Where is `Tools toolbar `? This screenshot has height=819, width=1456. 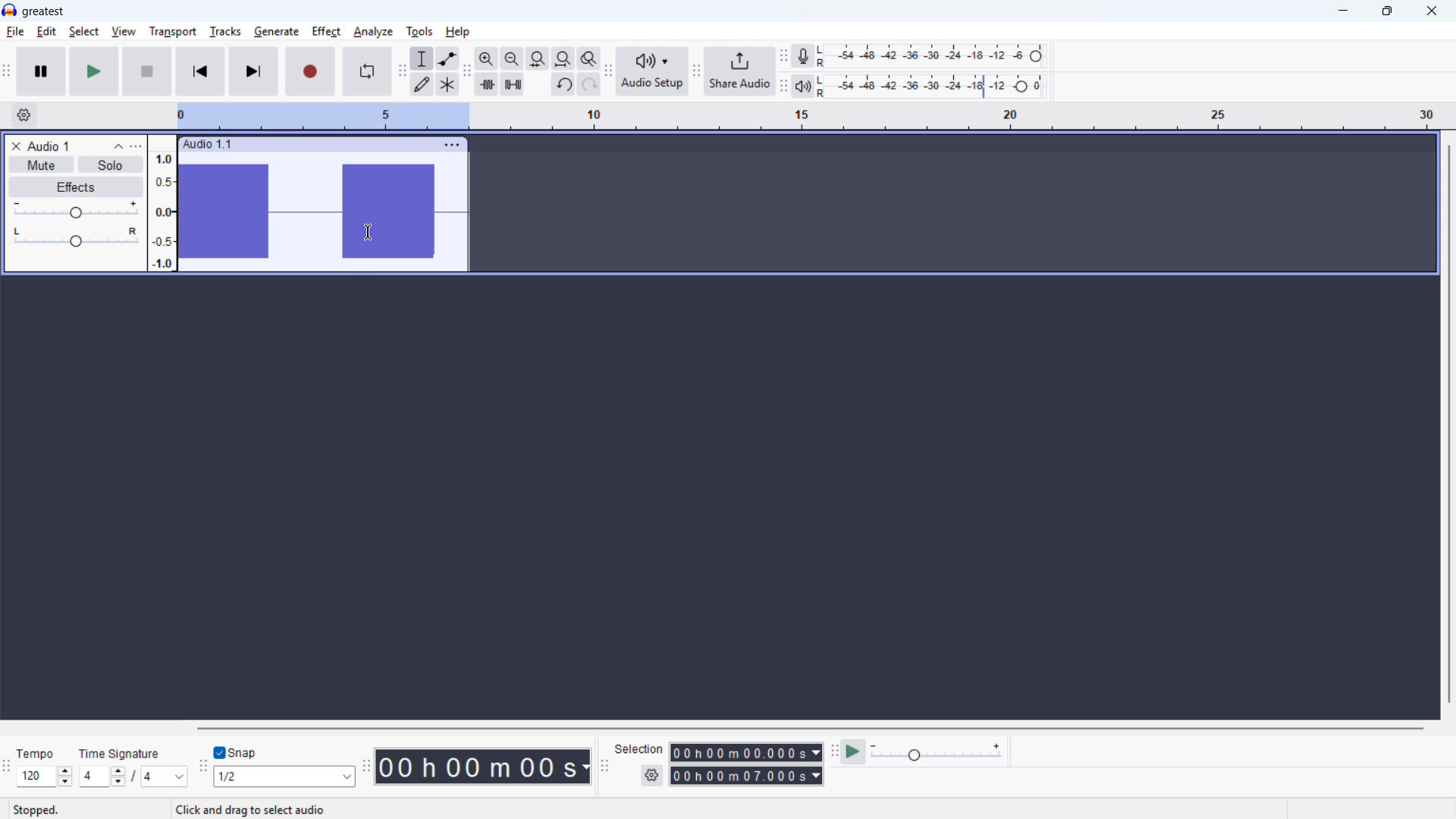
Tools toolbar  is located at coordinates (403, 71).